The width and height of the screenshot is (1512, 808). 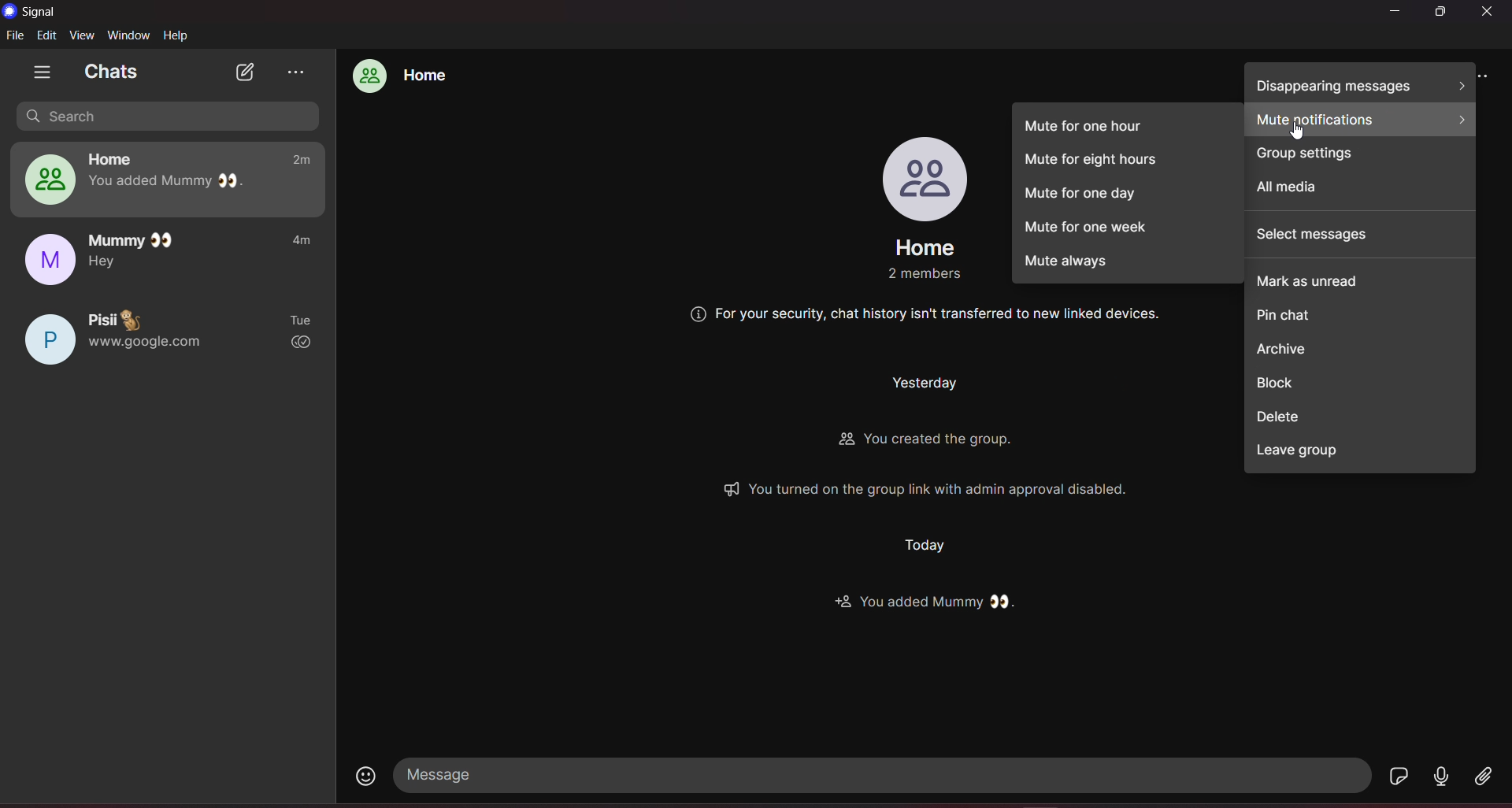 I want to click on mummy chat, so click(x=170, y=254).